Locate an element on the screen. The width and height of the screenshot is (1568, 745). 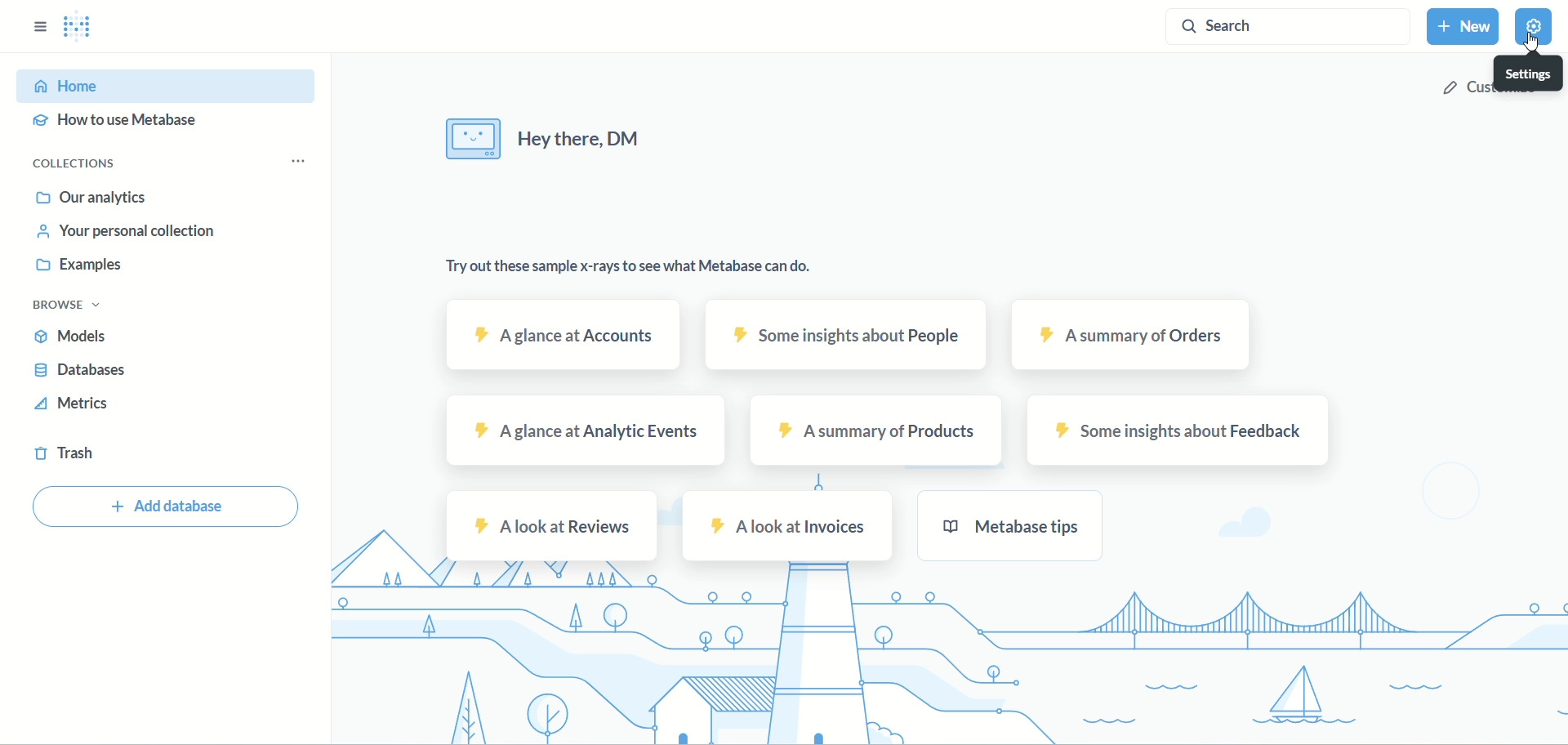
trash is located at coordinates (65, 454).